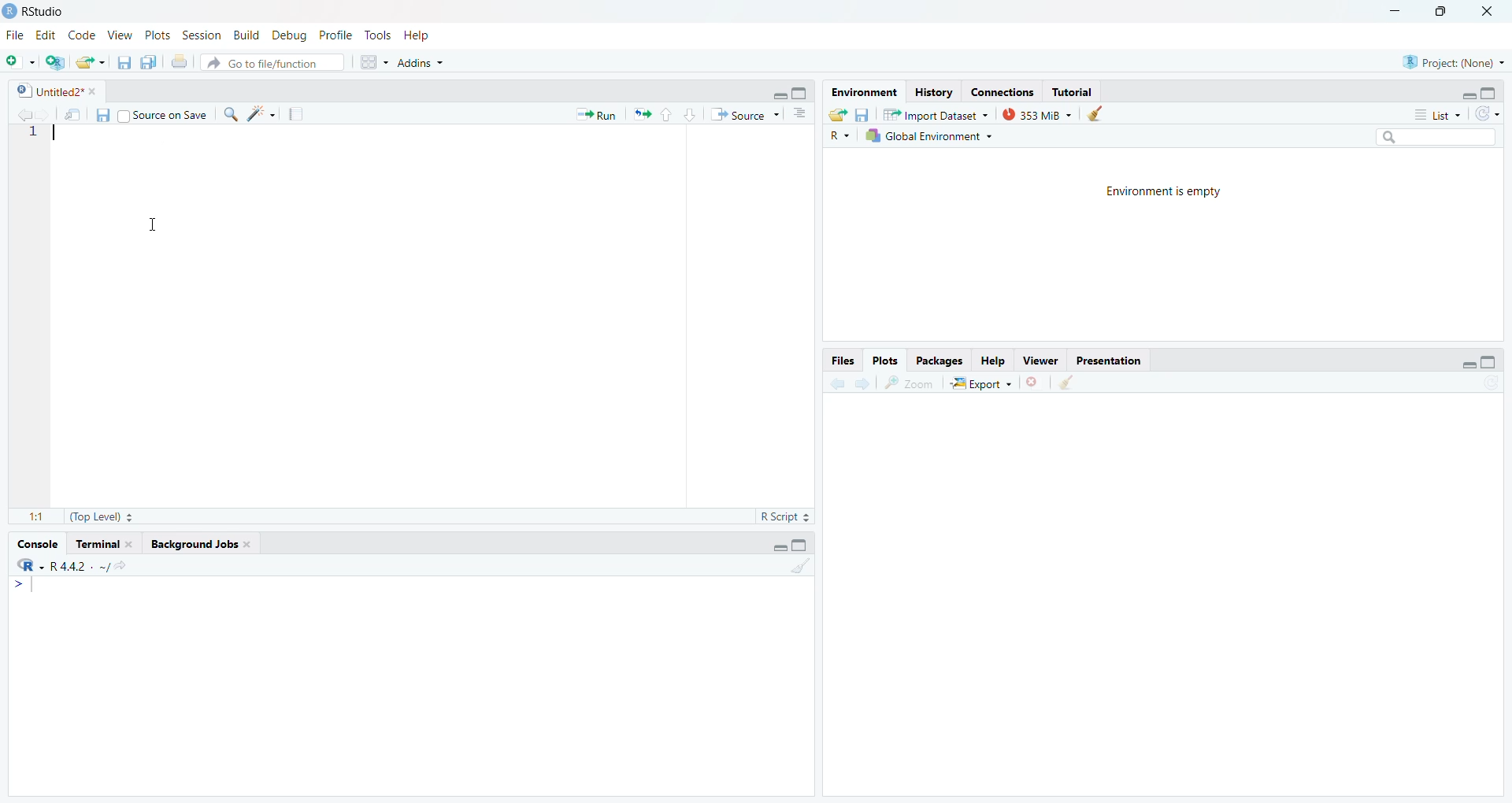  Describe the element at coordinates (1070, 385) in the screenshot. I see `clear all plots` at that location.